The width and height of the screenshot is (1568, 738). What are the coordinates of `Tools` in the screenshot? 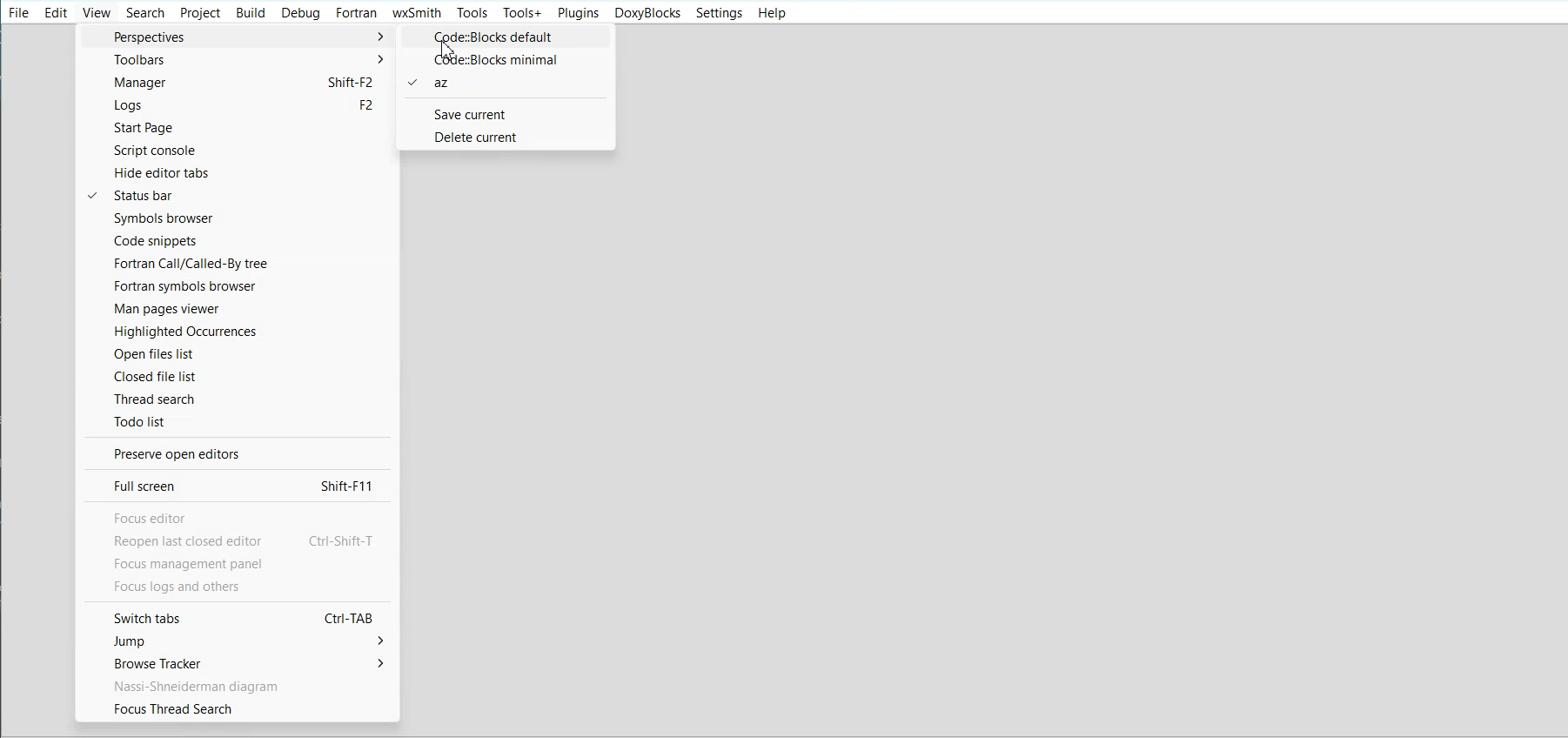 It's located at (472, 12).